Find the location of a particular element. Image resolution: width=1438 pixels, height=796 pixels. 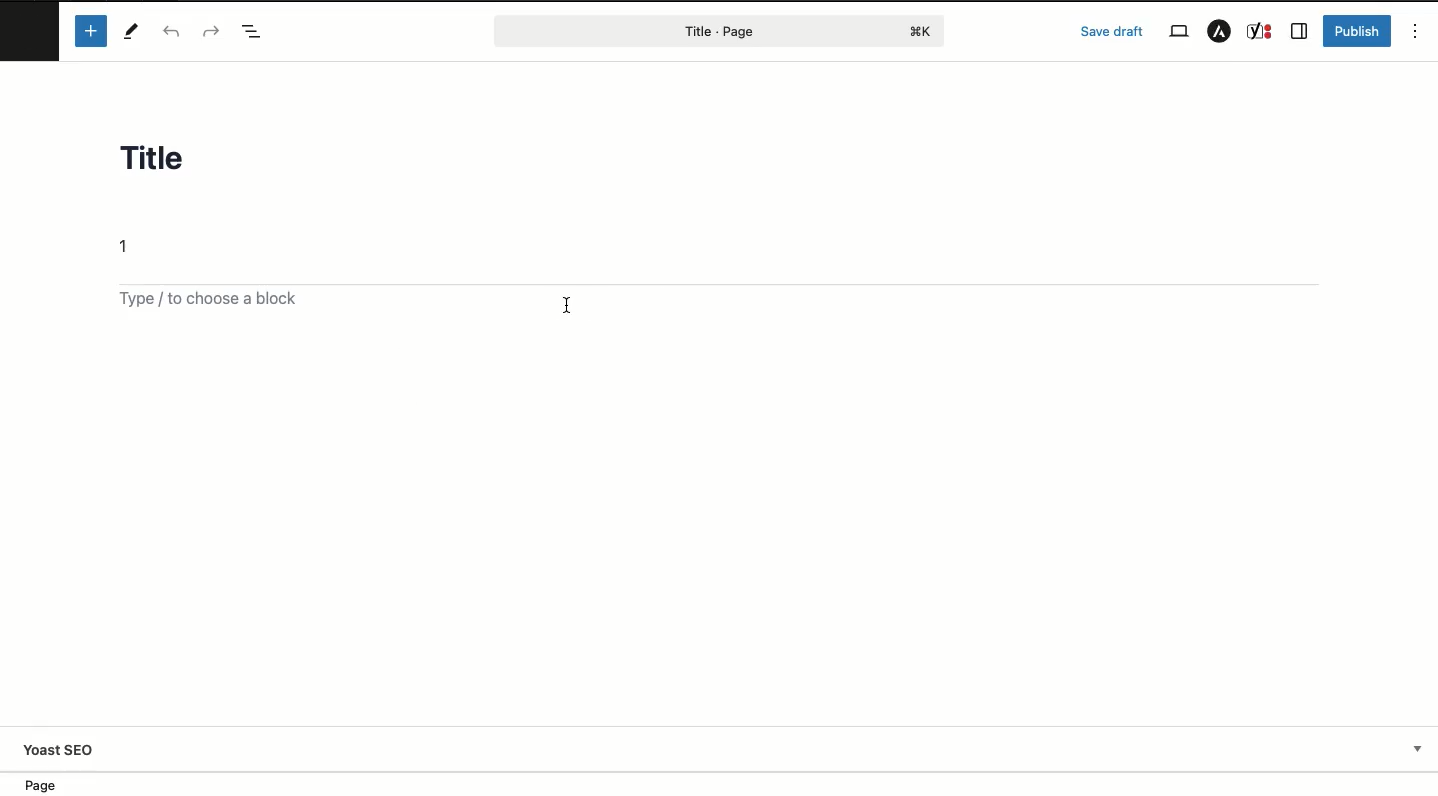

Add block is located at coordinates (226, 300).